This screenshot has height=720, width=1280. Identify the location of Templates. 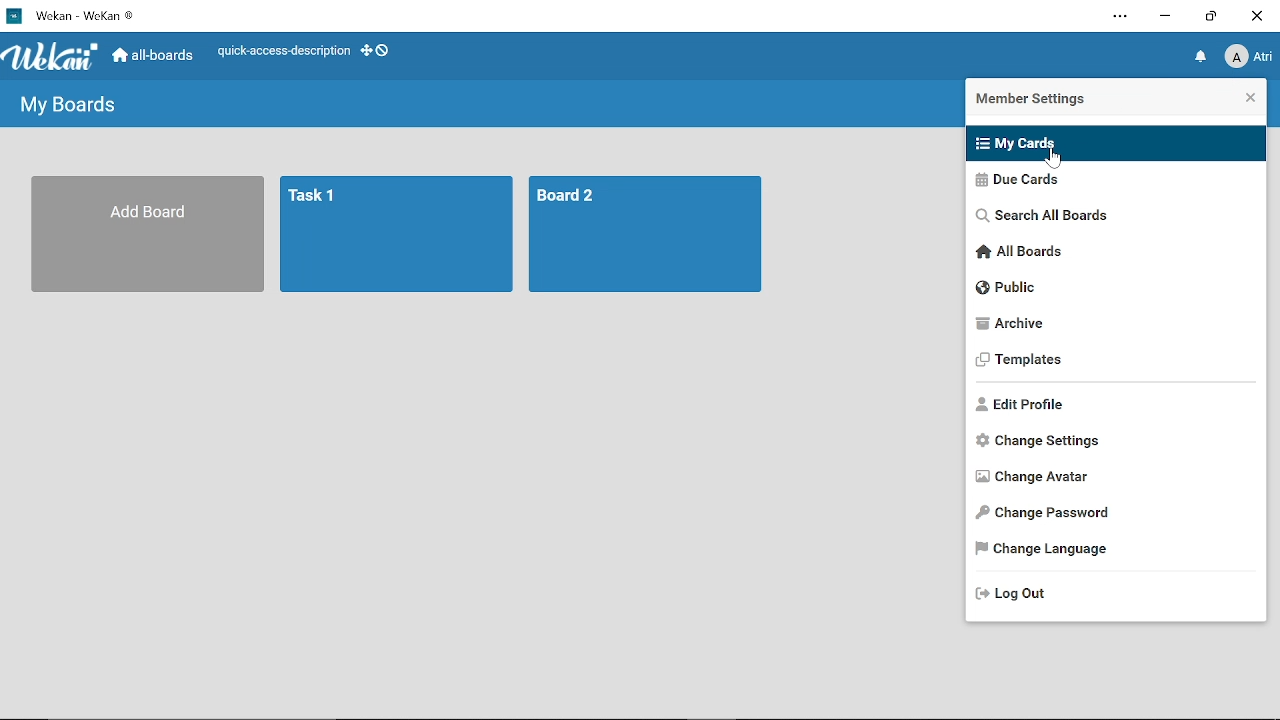
(1111, 362).